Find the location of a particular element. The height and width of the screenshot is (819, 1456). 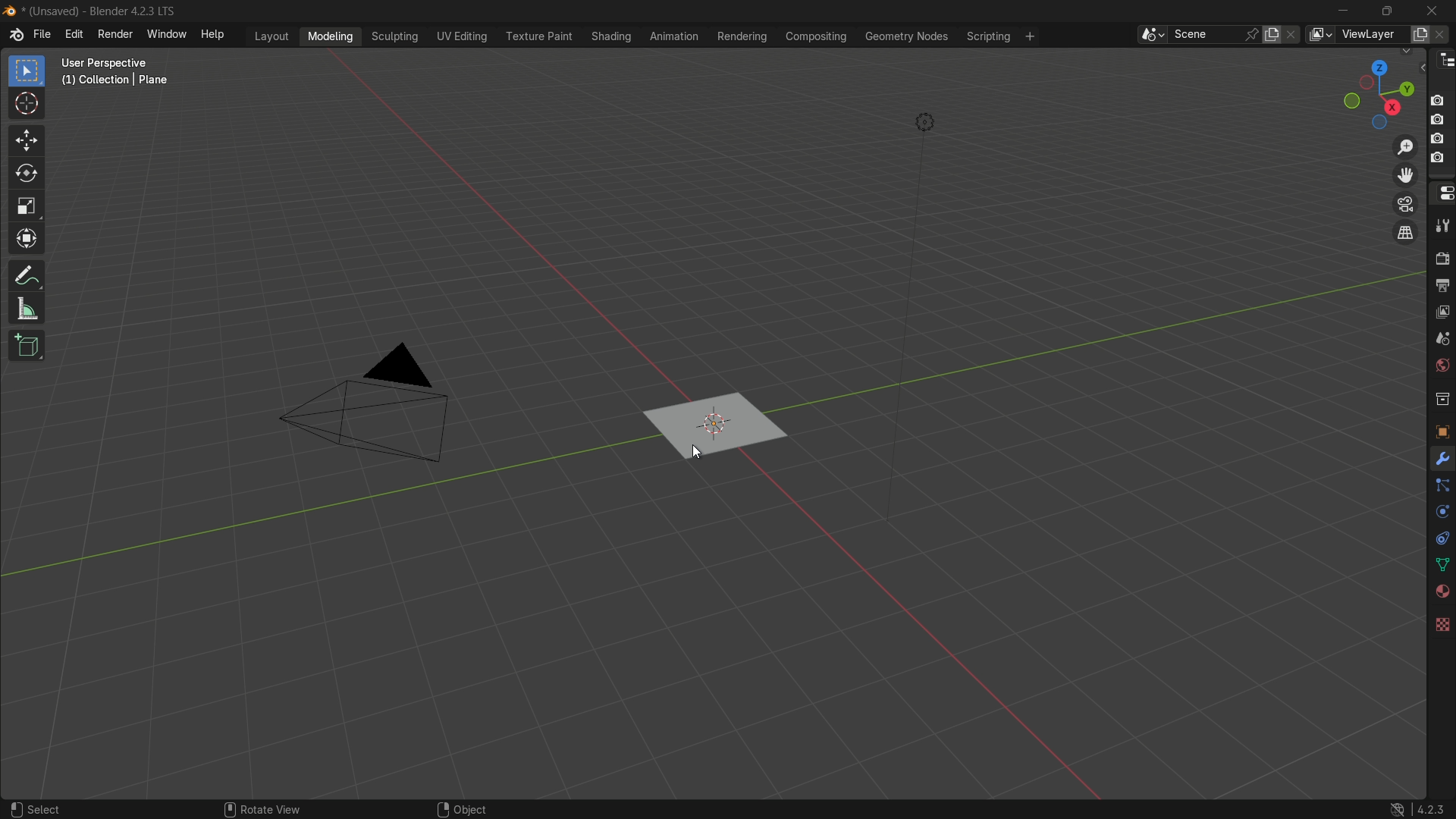

cursor is located at coordinates (693, 453).